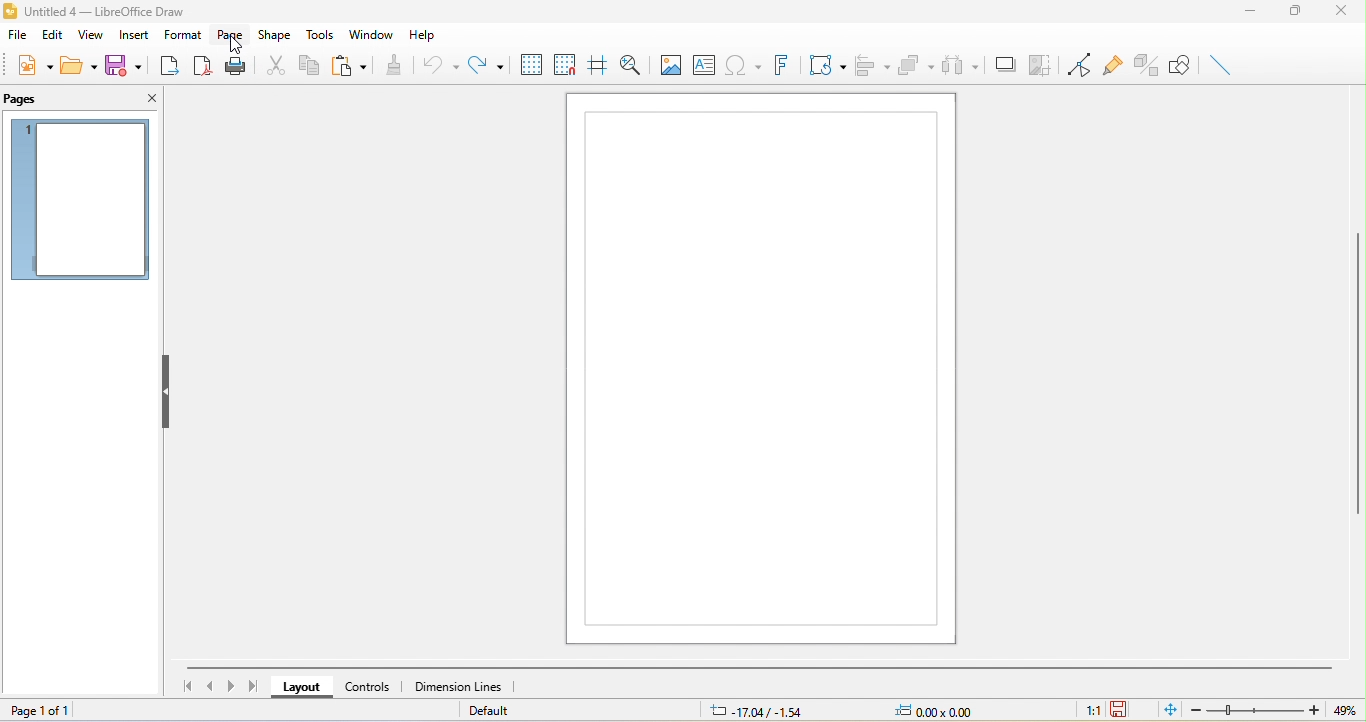  Describe the element at coordinates (238, 48) in the screenshot. I see `cursor movement` at that location.